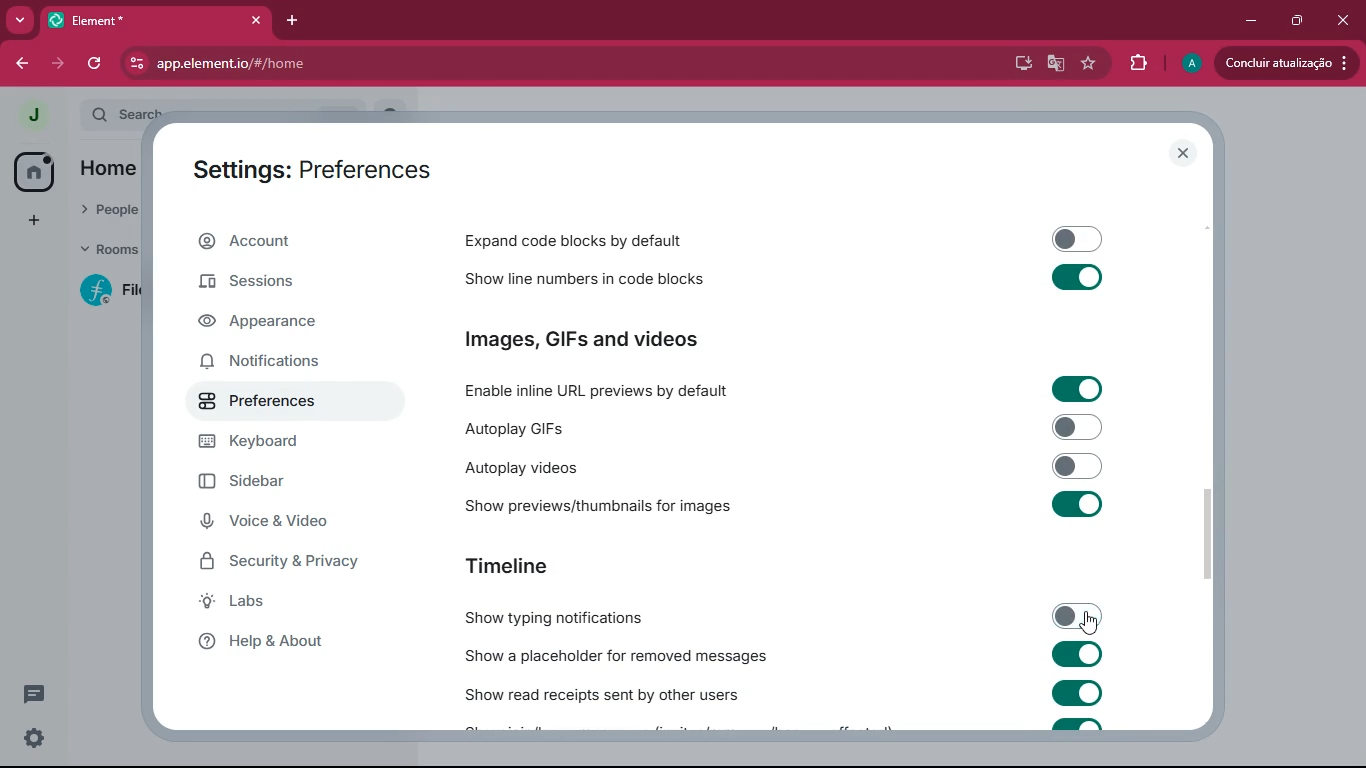 Image resolution: width=1366 pixels, height=768 pixels. What do you see at coordinates (94, 65) in the screenshot?
I see `refresh` at bounding box center [94, 65].